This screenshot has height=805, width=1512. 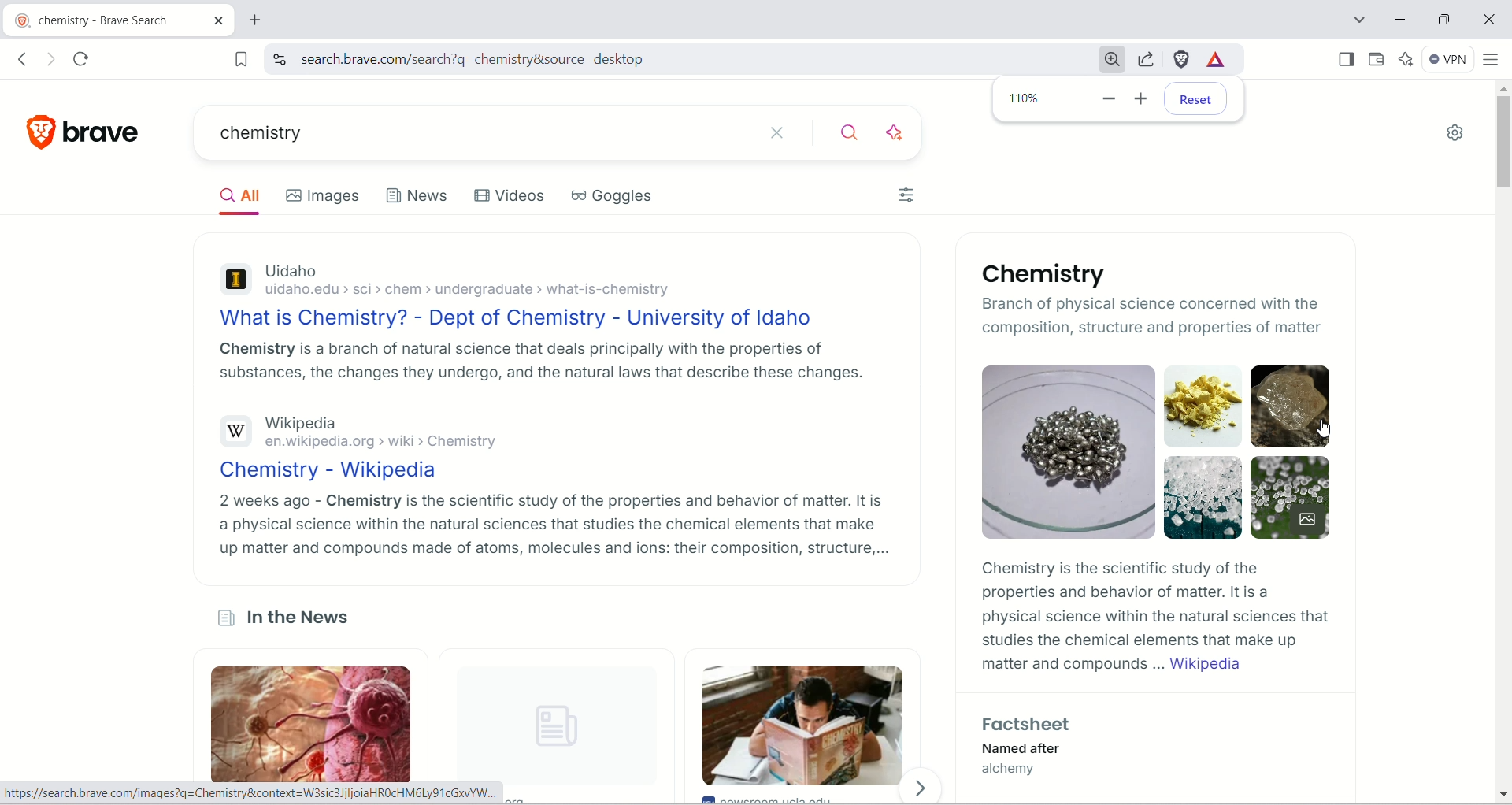 What do you see at coordinates (325, 195) in the screenshot?
I see `Images` at bounding box center [325, 195].